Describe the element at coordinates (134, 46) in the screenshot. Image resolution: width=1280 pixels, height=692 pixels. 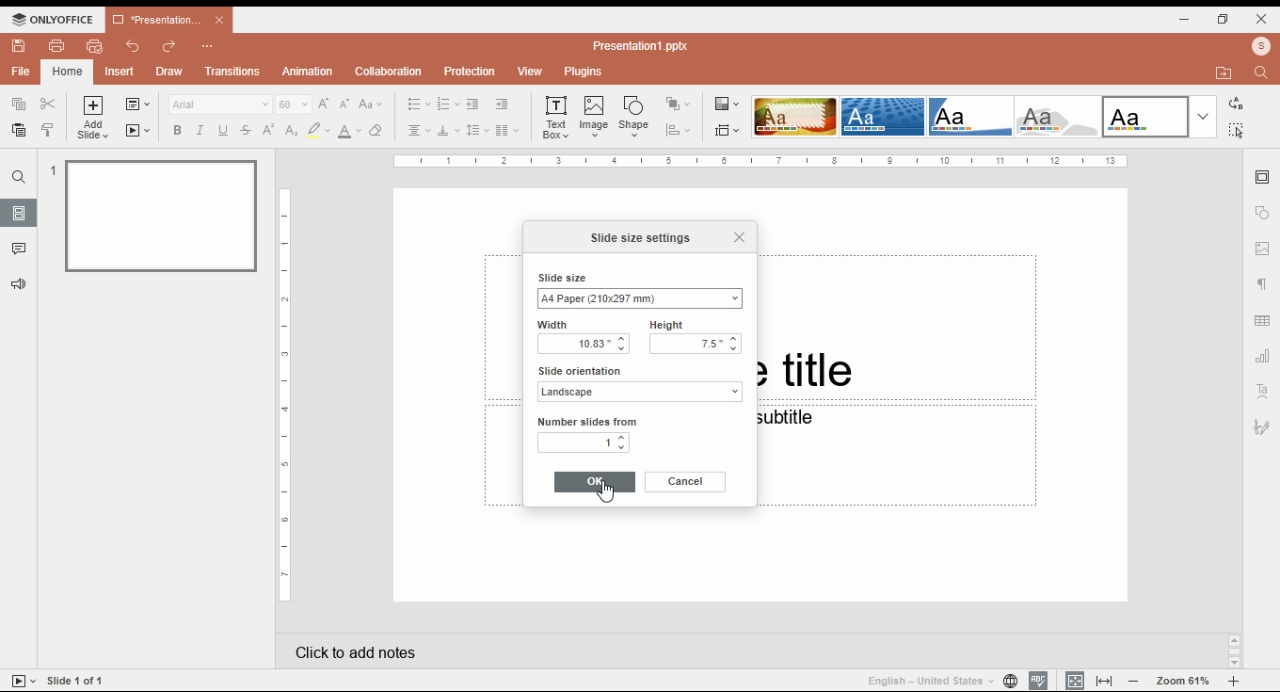
I see `undo` at that location.